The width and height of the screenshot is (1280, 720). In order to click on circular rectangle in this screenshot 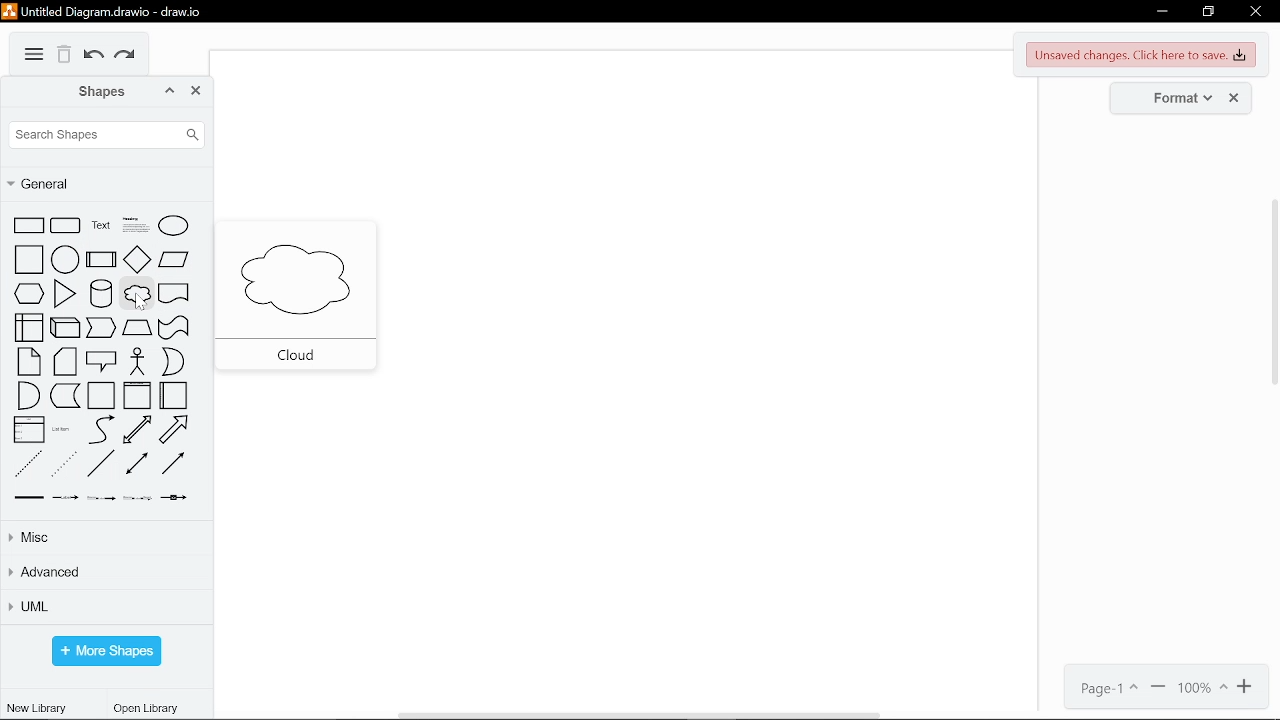, I will do `click(66, 227)`.